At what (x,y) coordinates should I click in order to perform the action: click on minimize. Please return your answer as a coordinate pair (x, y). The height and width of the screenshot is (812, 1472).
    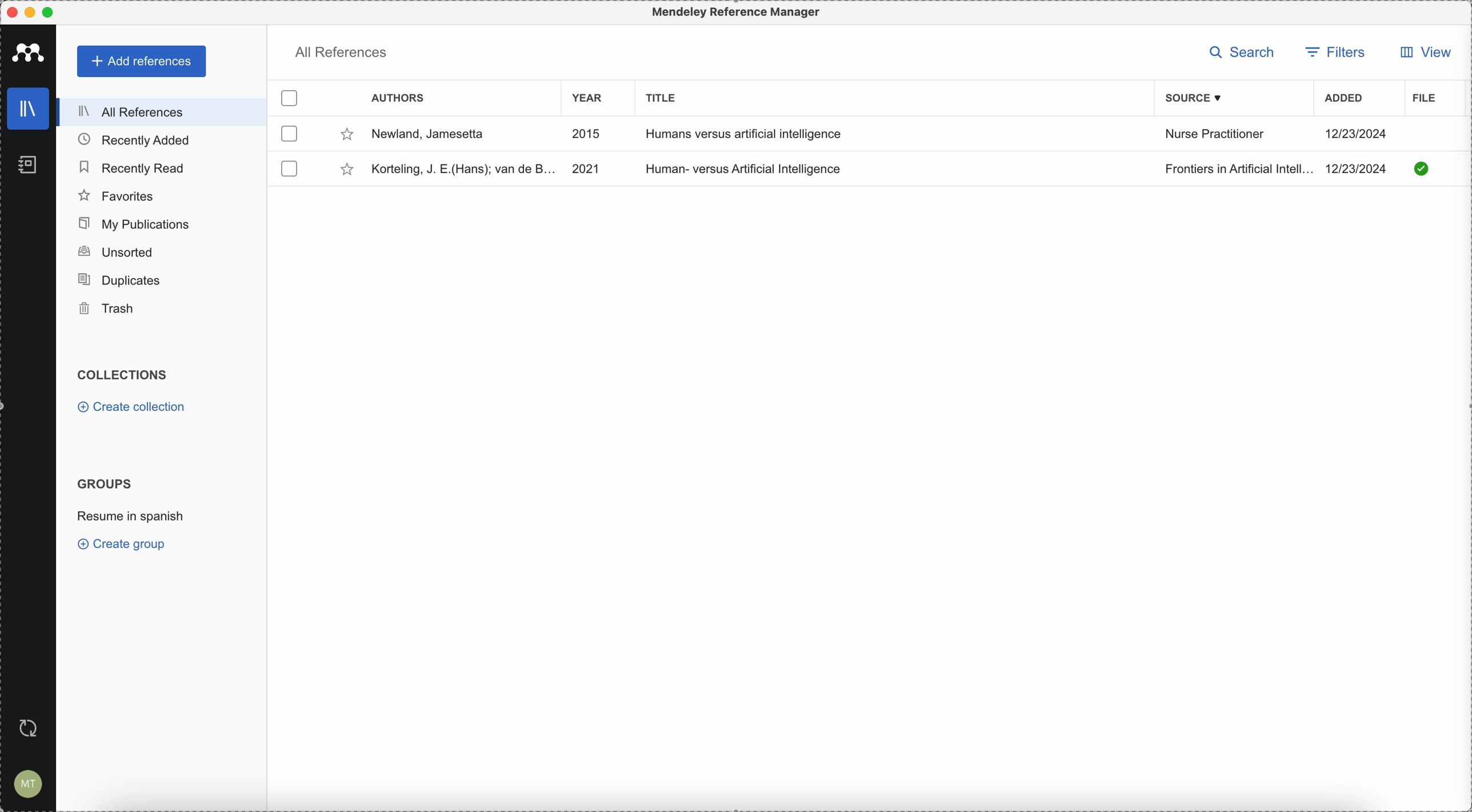
    Looking at the image, I should click on (33, 12).